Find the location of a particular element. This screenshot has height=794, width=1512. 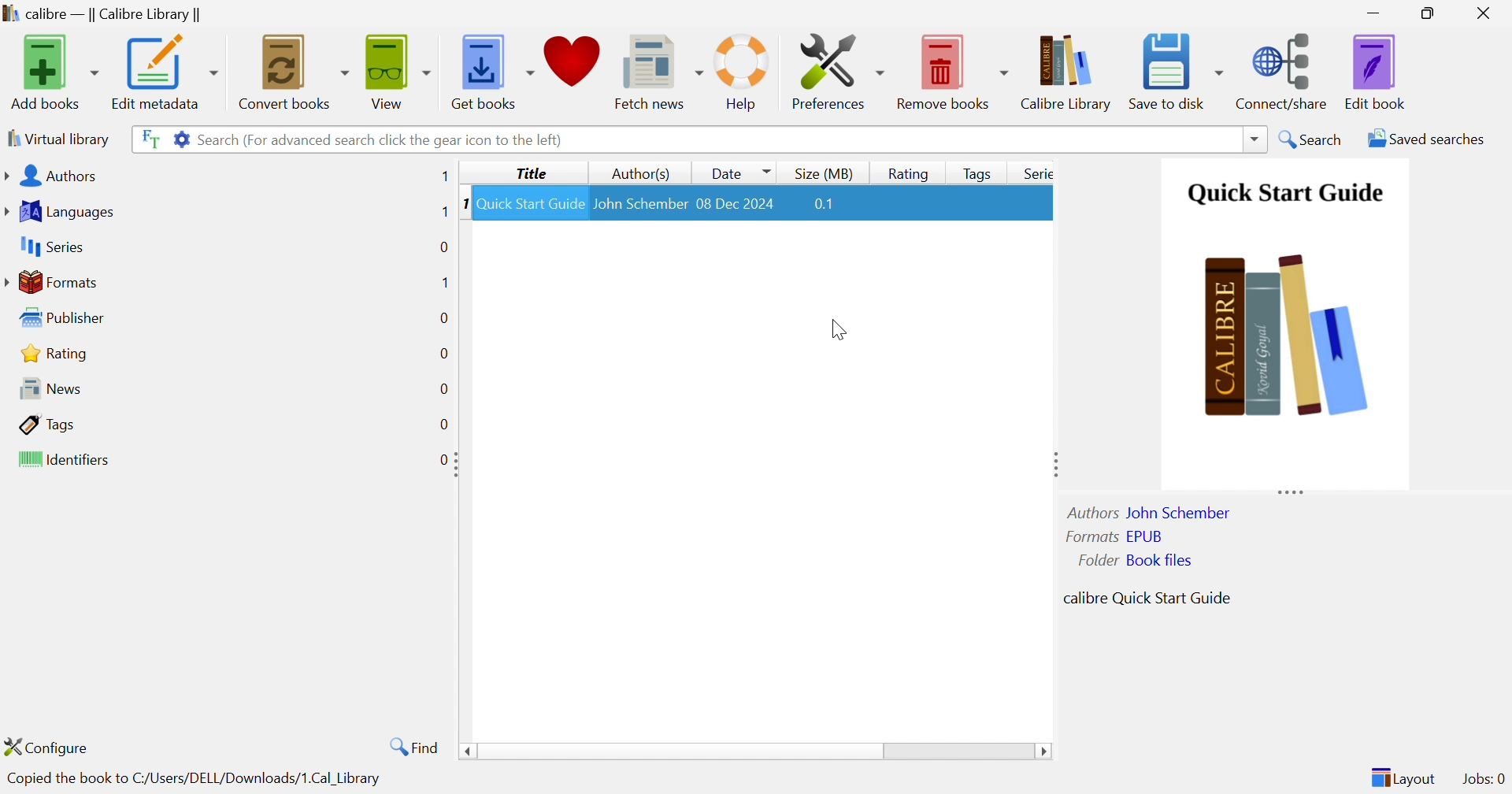

Identifiers is located at coordinates (61, 458).